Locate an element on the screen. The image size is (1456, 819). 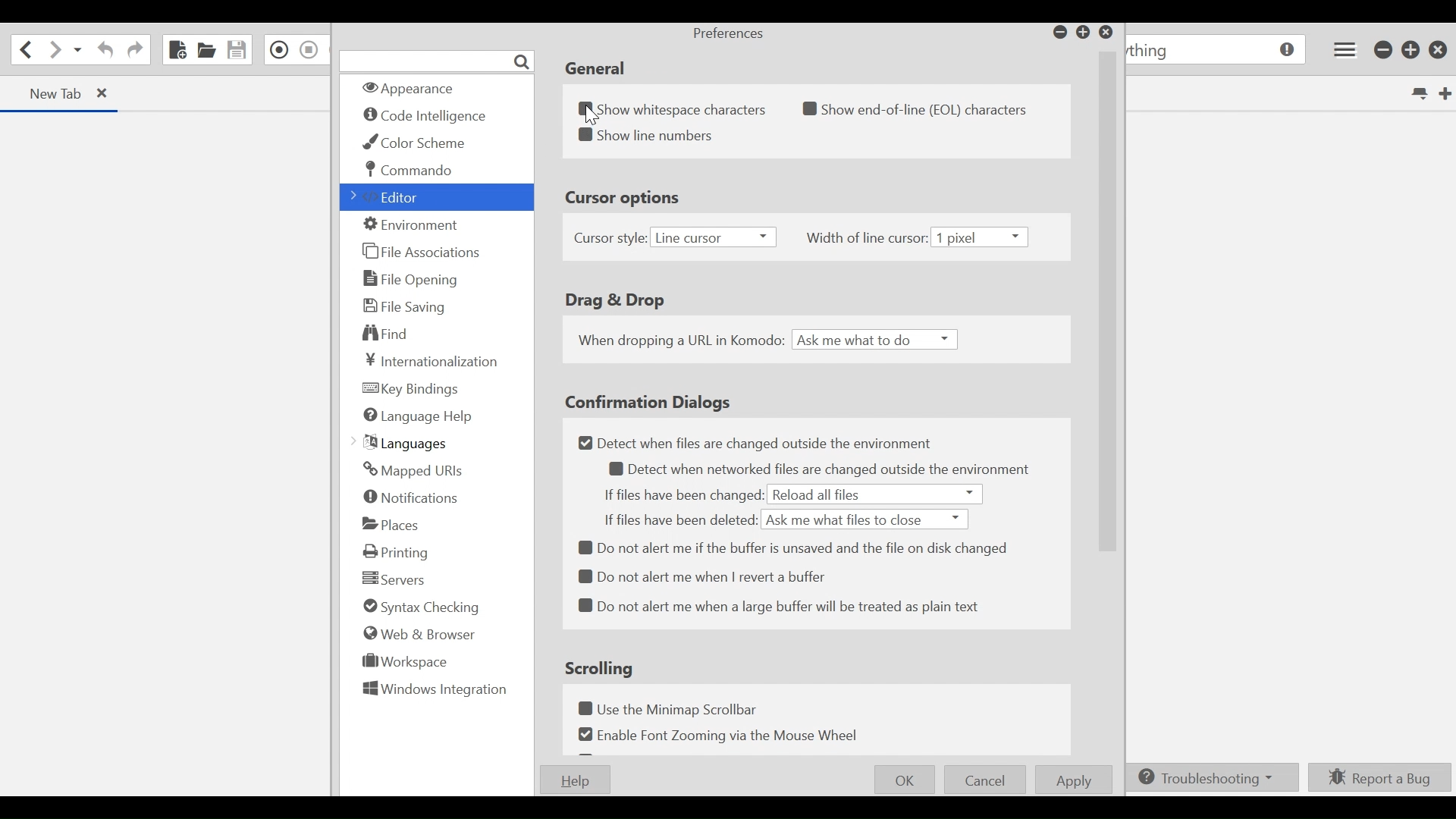
vertical scrollbar is located at coordinates (1109, 308).